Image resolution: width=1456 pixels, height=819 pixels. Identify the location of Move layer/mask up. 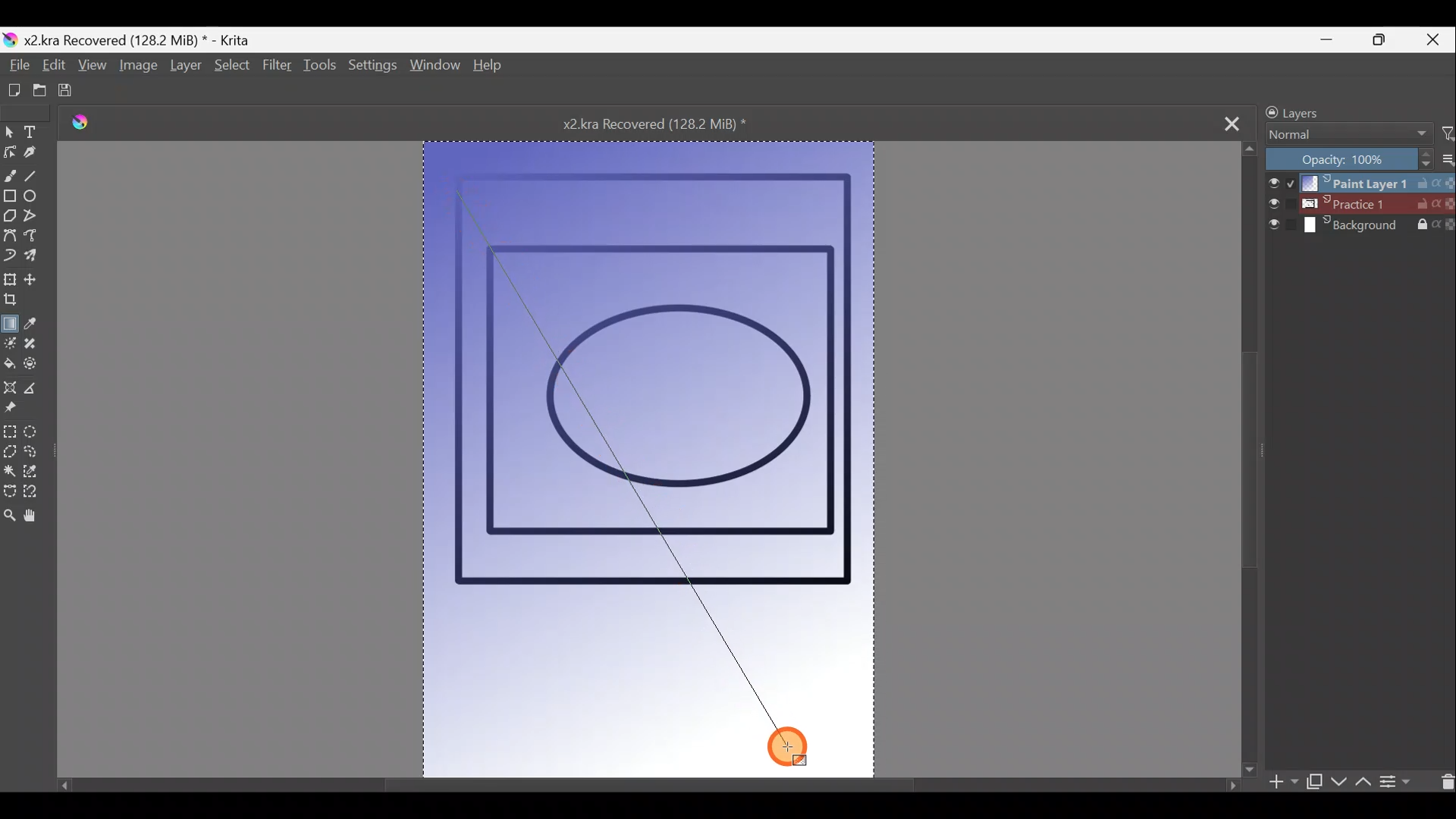
(1361, 782).